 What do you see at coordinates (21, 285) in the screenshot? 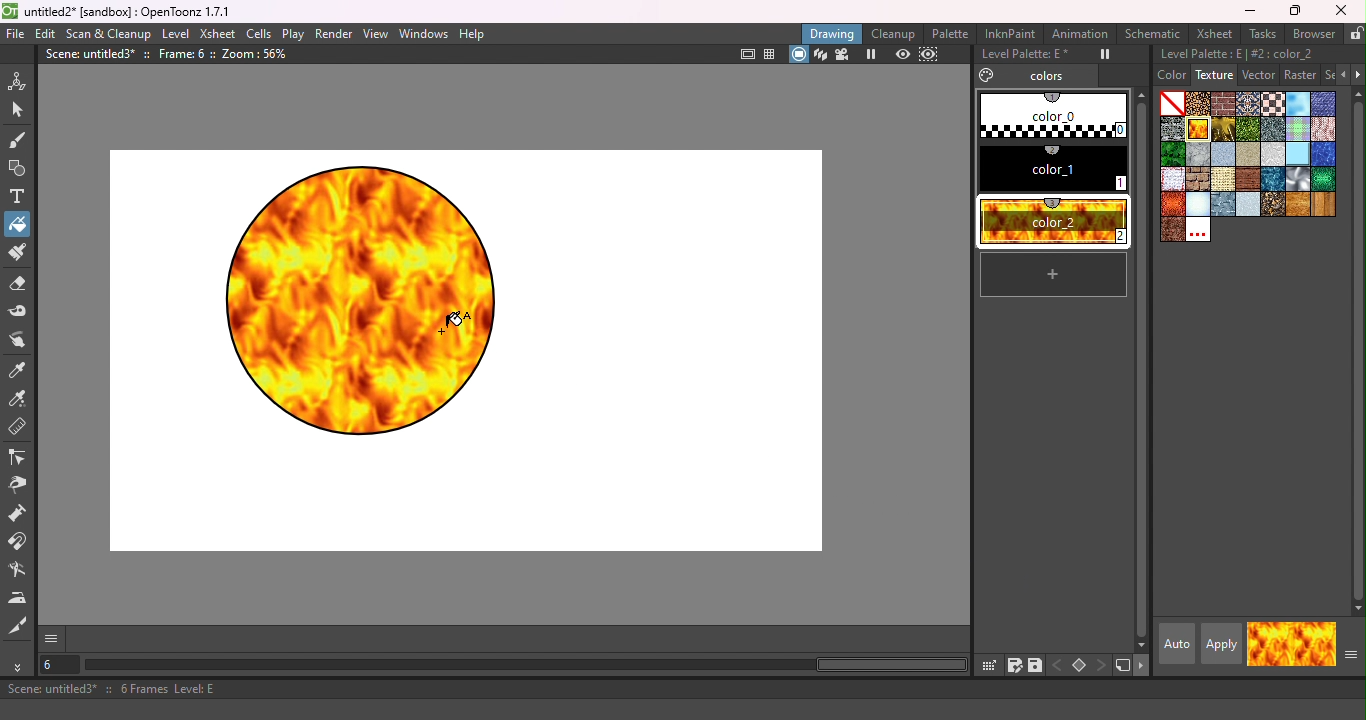
I see `Eraser tool` at bounding box center [21, 285].